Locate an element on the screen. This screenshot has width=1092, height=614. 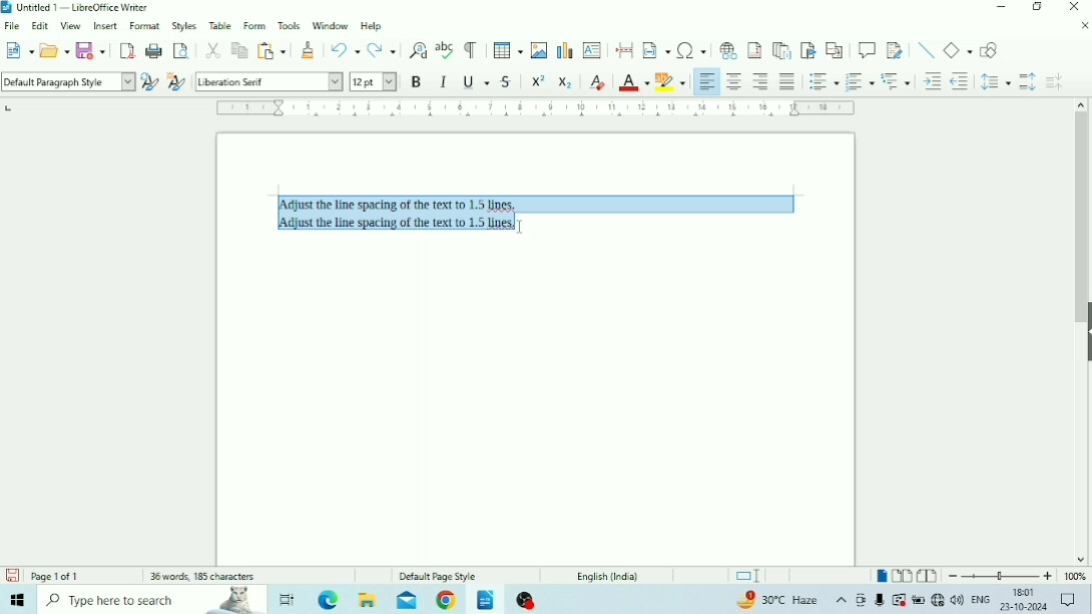
Copy is located at coordinates (239, 49).